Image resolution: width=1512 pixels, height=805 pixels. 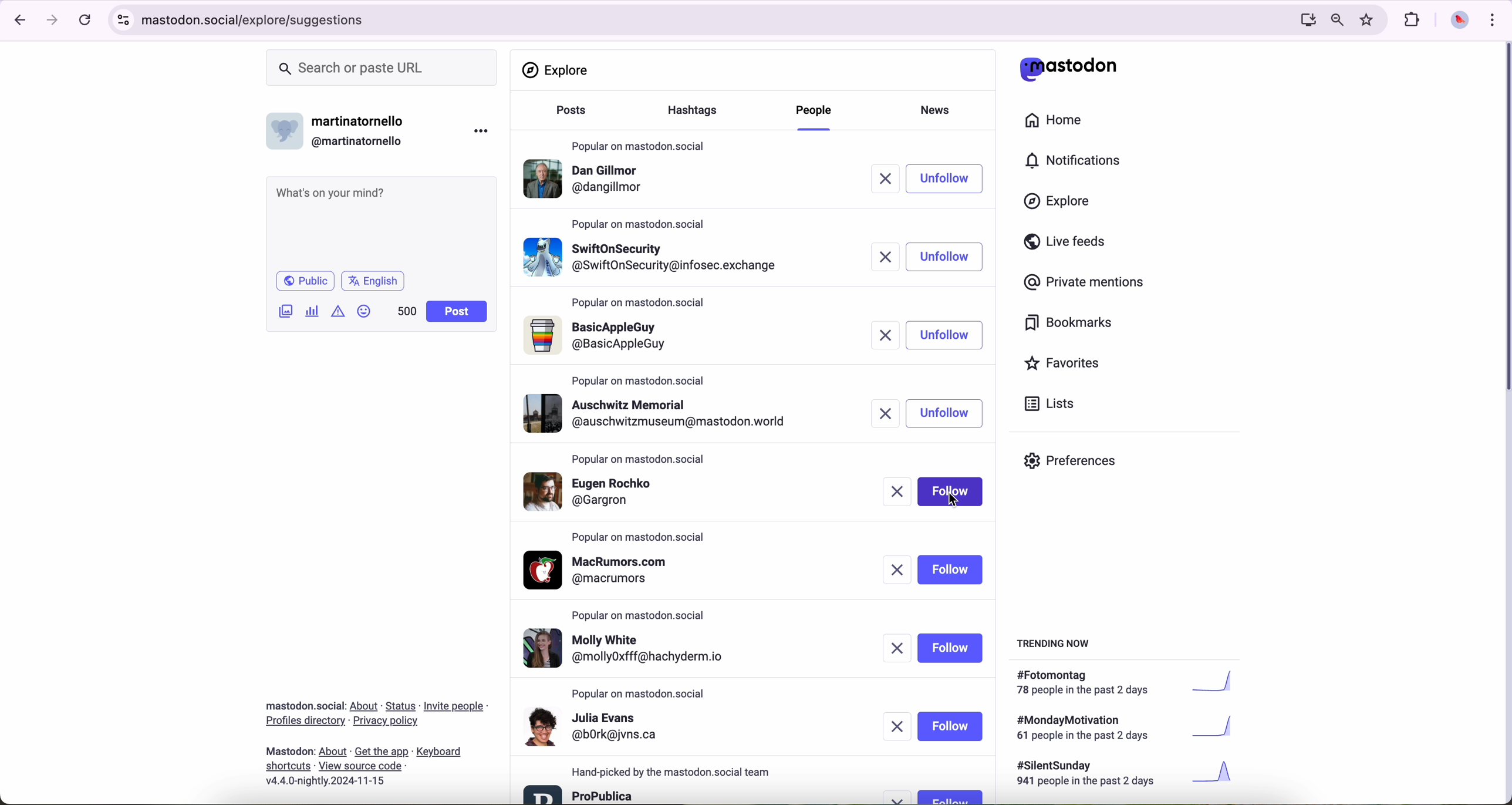 What do you see at coordinates (1336, 19) in the screenshot?
I see `zoom out` at bounding box center [1336, 19].